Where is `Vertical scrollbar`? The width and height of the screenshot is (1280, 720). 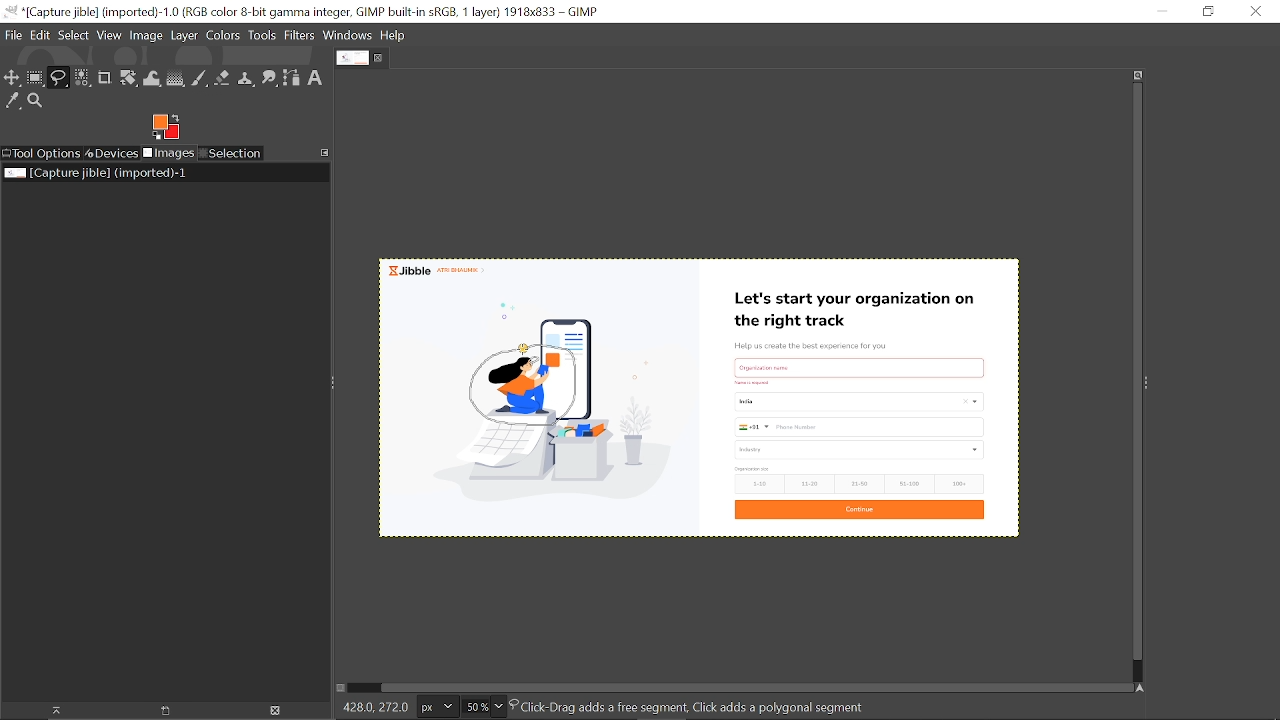 Vertical scrollbar is located at coordinates (1134, 374).